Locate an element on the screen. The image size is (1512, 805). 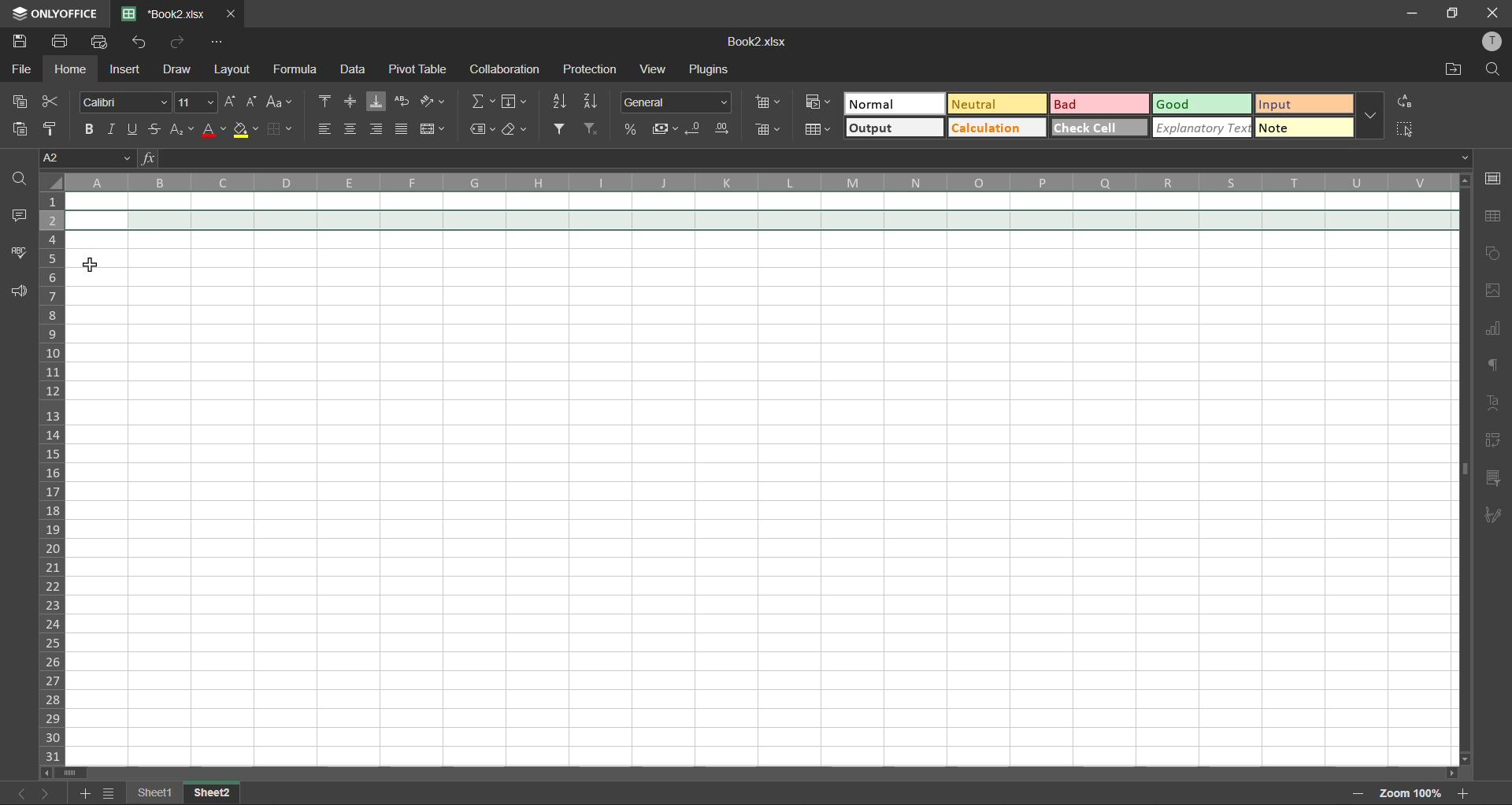
close tab is located at coordinates (233, 13).